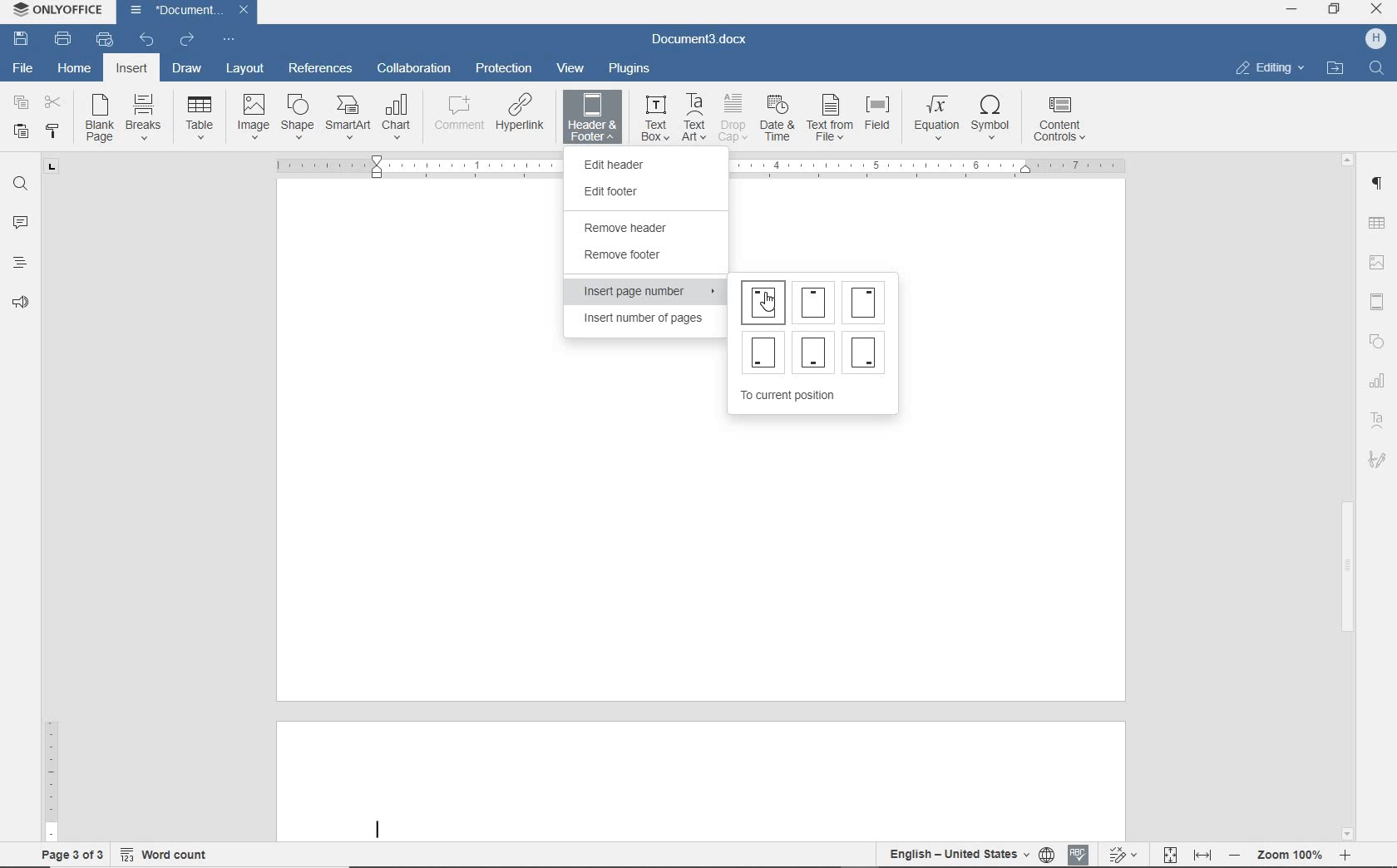 The image size is (1397, 868). Describe the element at coordinates (1293, 11) in the screenshot. I see `MINIMIZE` at that location.